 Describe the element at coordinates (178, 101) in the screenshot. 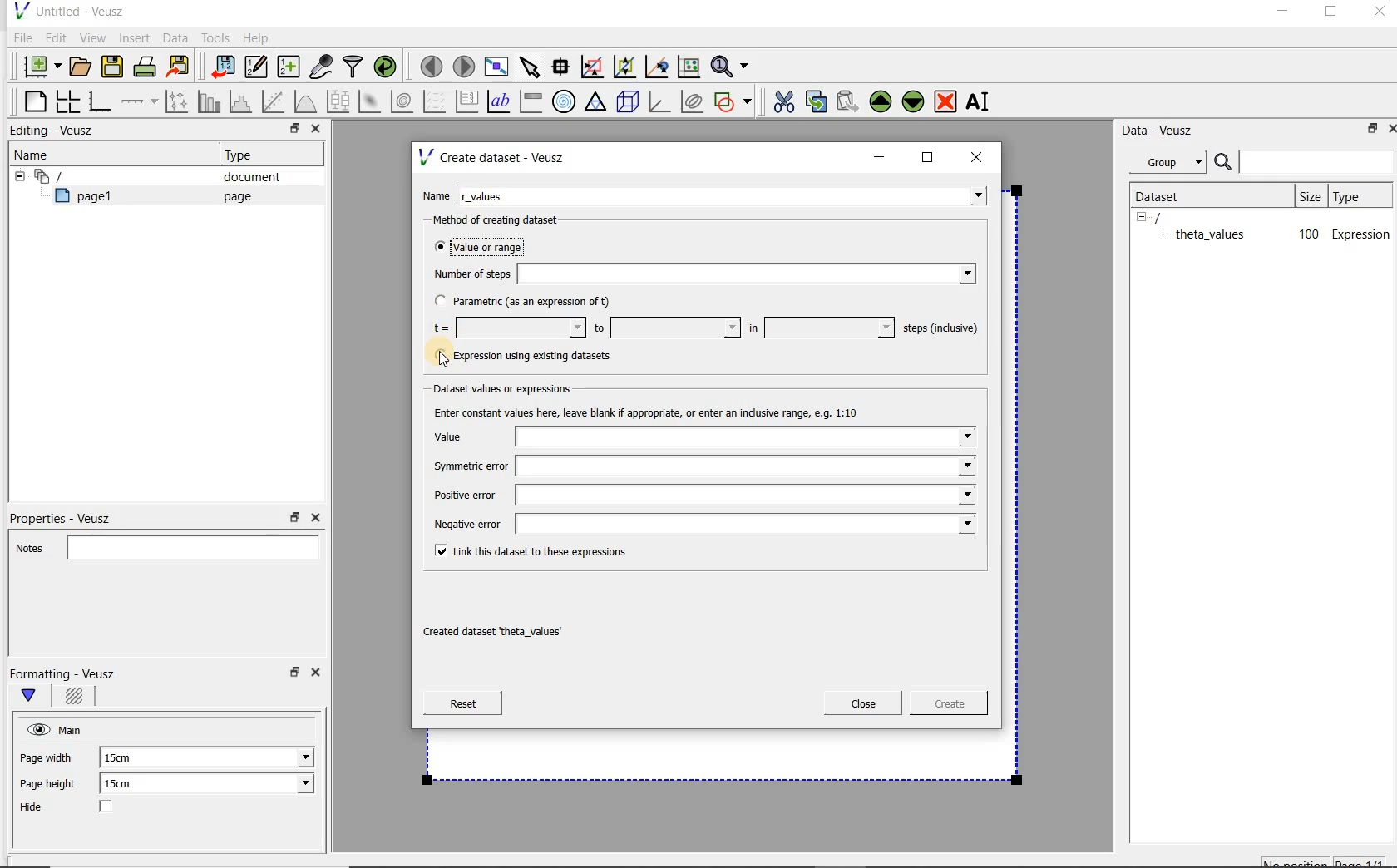

I see `Plot points with lines and error bars` at that location.